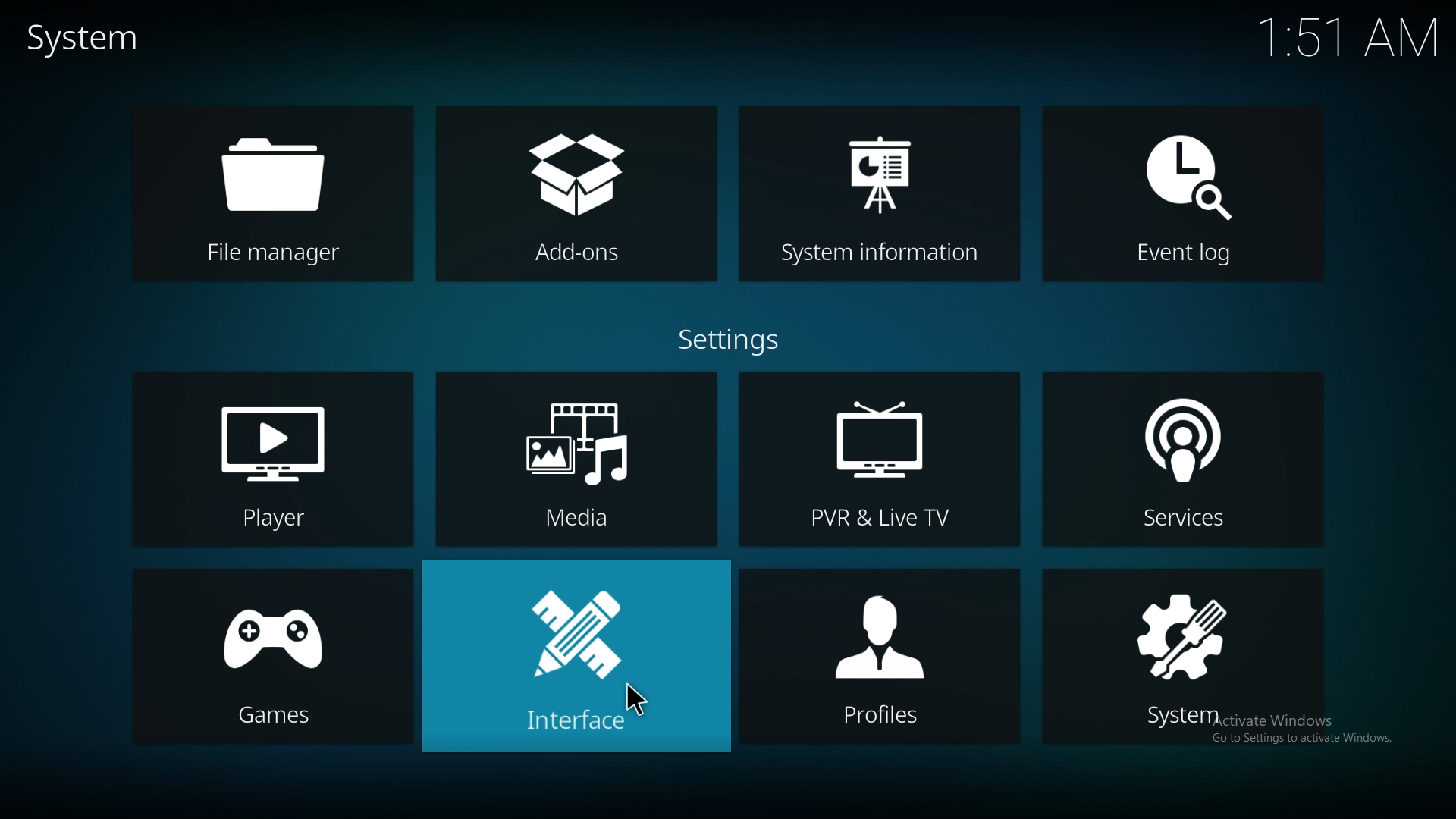  Describe the element at coordinates (1181, 459) in the screenshot. I see `services` at that location.